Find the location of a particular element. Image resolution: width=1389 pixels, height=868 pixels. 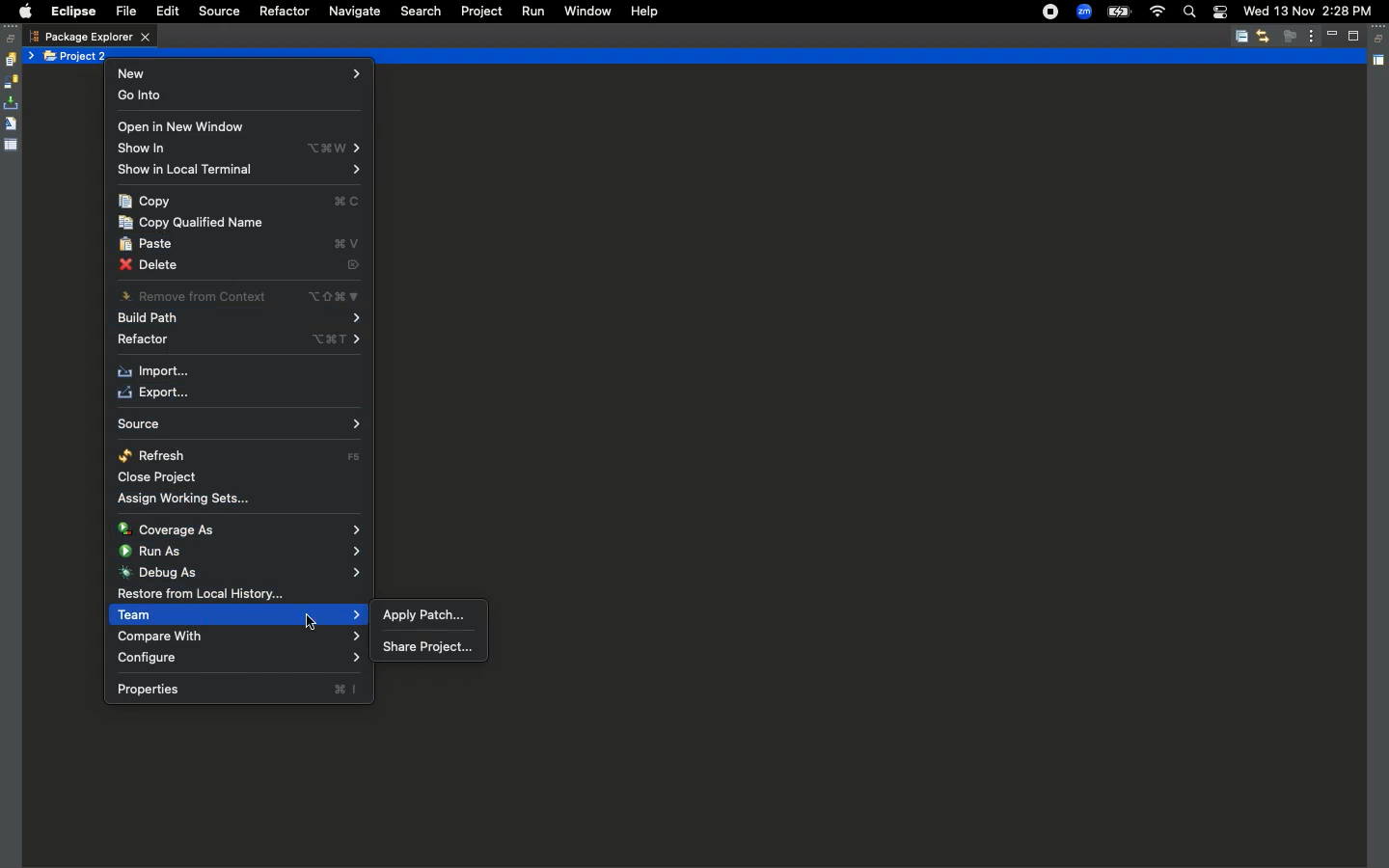

Search is located at coordinates (421, 12).